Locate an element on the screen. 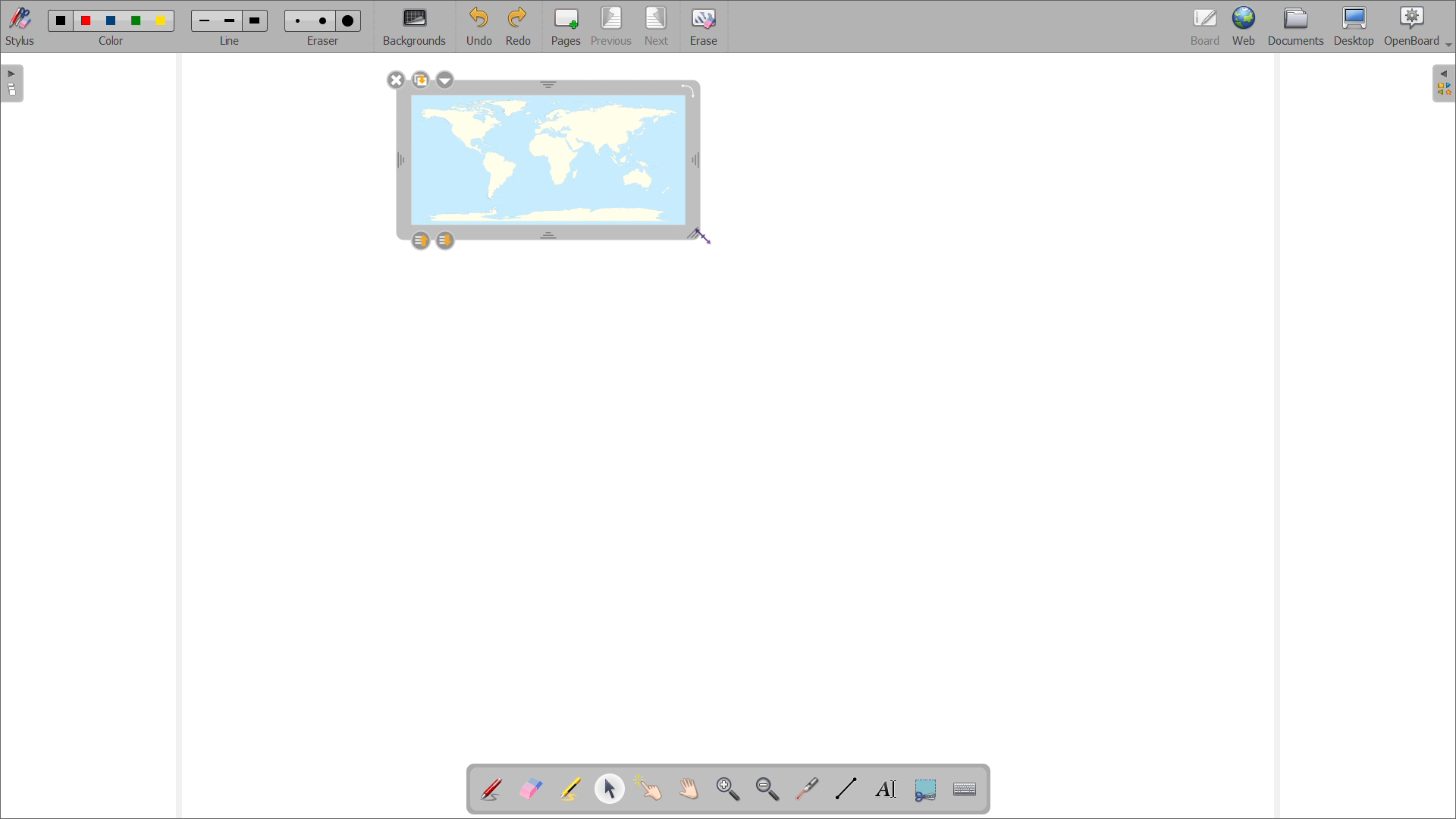 The image size is (1456, 819). write text is located at coordinates (886, 789).